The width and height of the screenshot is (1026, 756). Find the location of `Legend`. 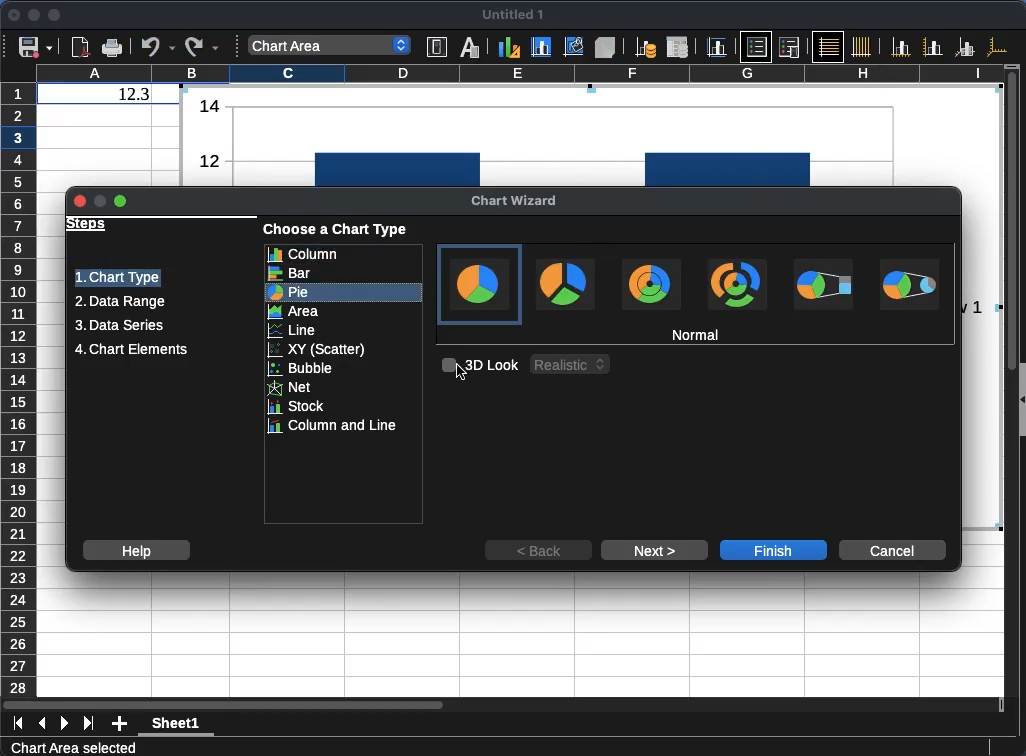

Legend is located at coordinates (789, 47).